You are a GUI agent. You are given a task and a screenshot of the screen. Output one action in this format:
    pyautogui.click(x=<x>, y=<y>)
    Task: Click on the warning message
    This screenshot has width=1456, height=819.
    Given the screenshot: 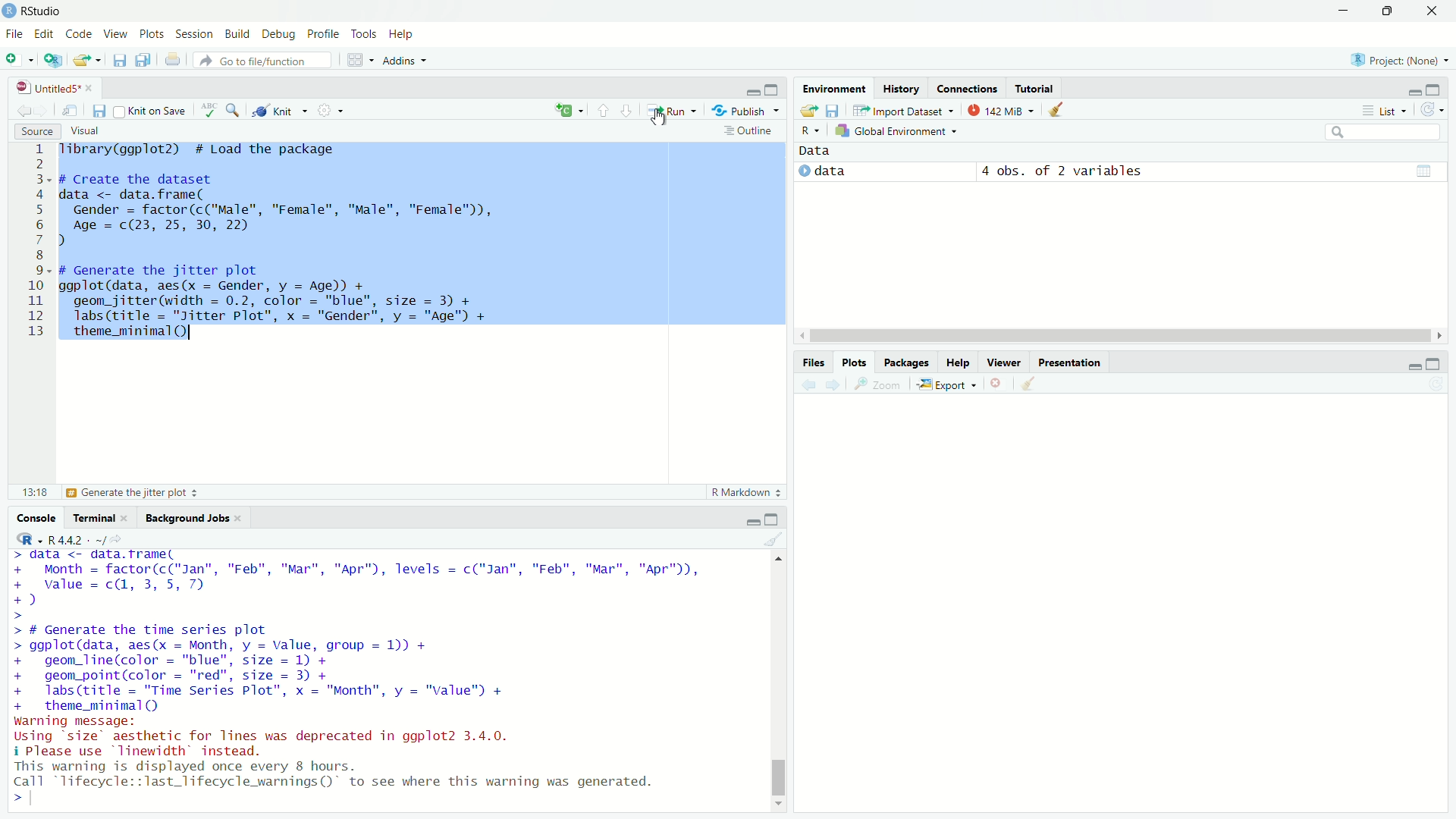 What is the action you would take?
    pyautogui.click(x=272, y=736)
    